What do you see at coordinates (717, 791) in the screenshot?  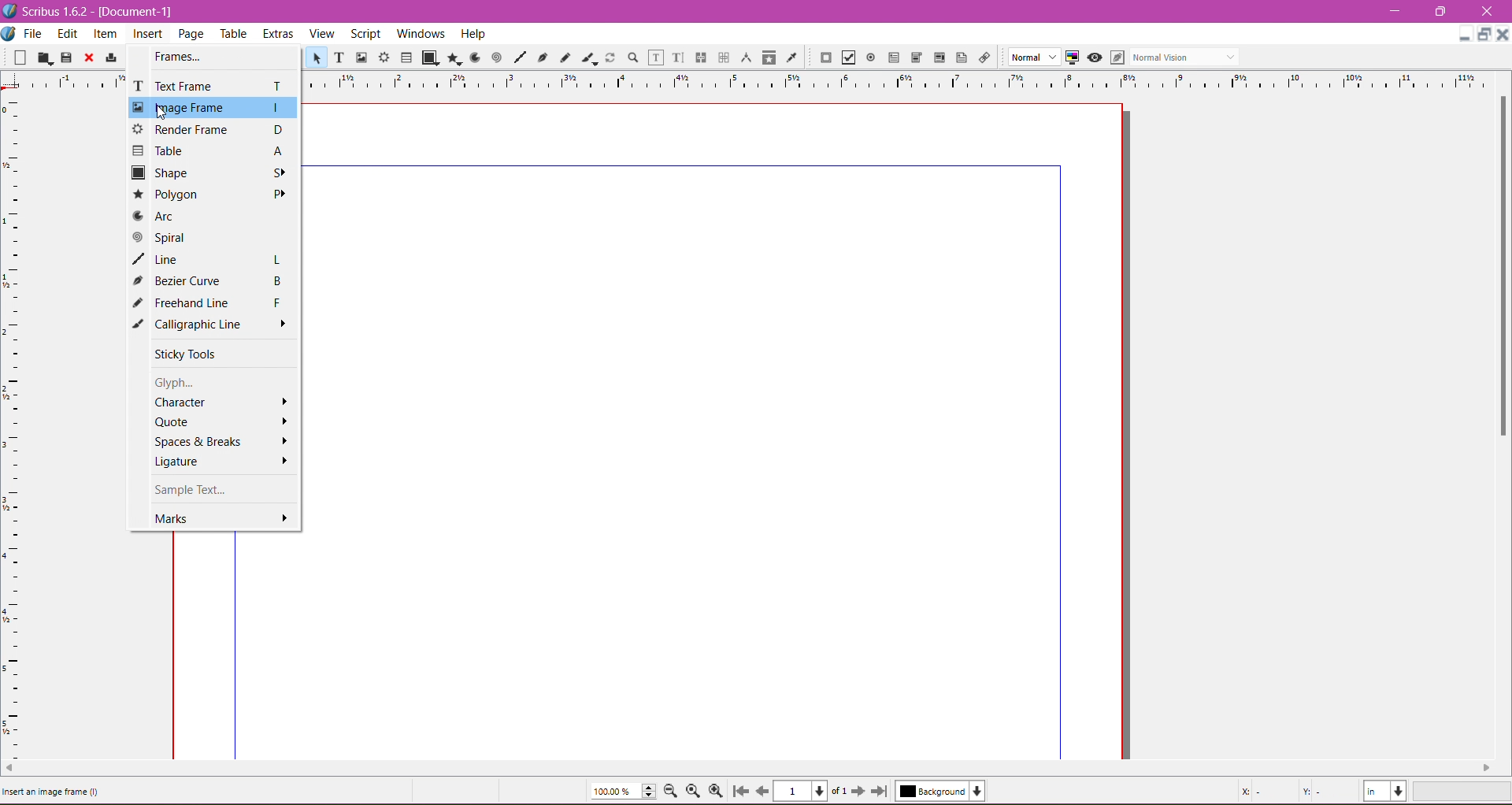 I see `Zoom In by the stepping value in the Tools preferences` at bounding box center [717, 791].